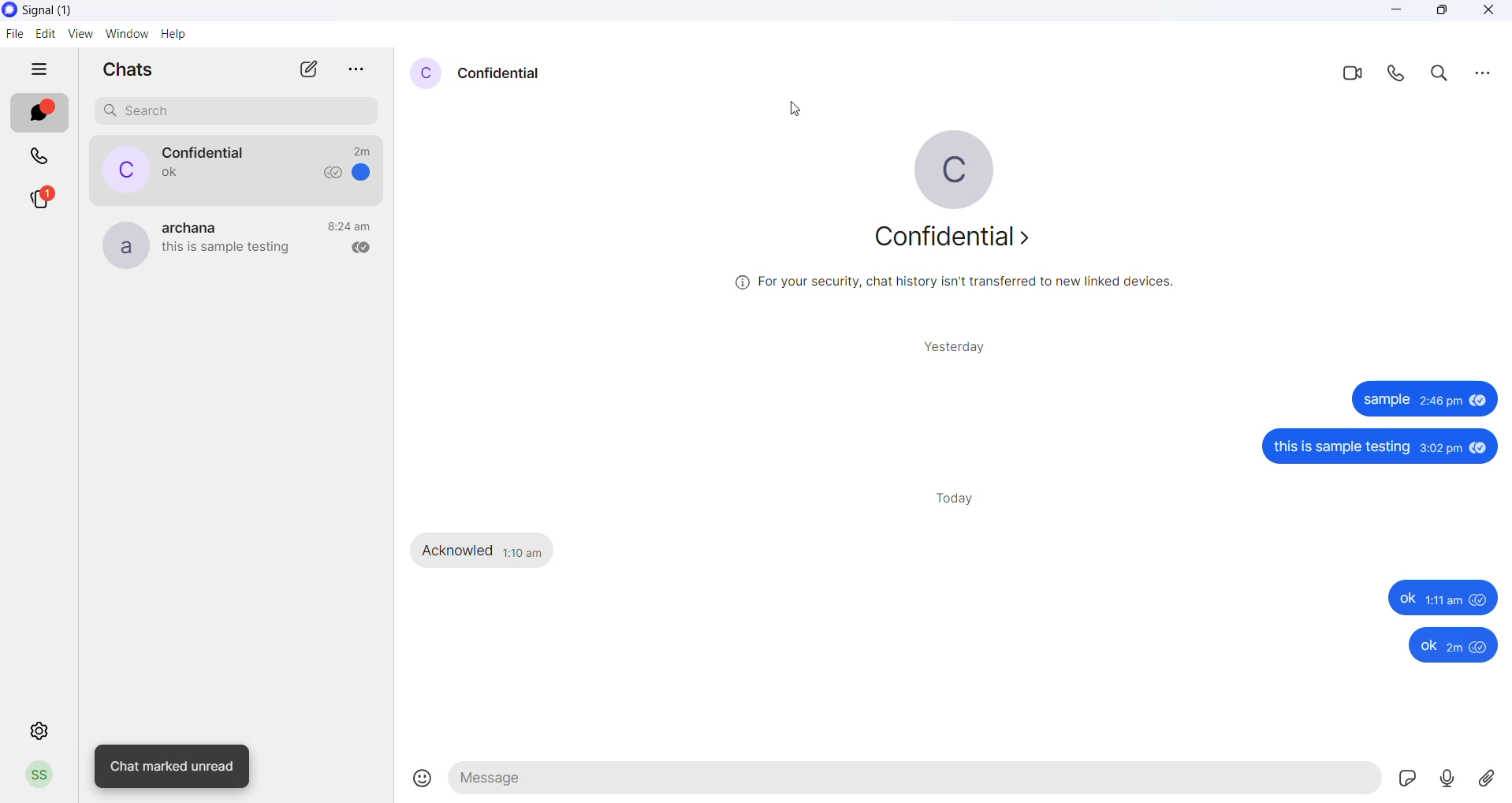  Describe the element at coordinates (39, 732) in the screenshot. I see `settings` at that location.